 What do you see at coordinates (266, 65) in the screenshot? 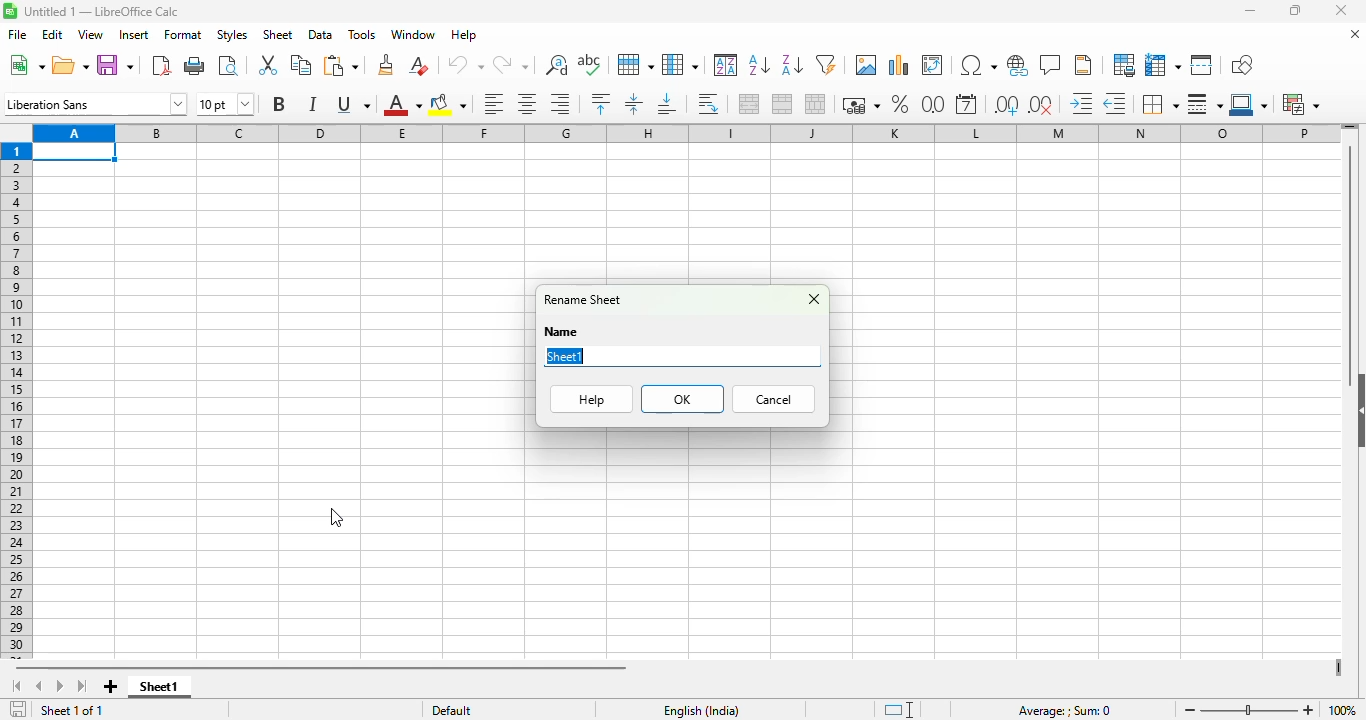
I see `cut` at bounding box center [266, 65].